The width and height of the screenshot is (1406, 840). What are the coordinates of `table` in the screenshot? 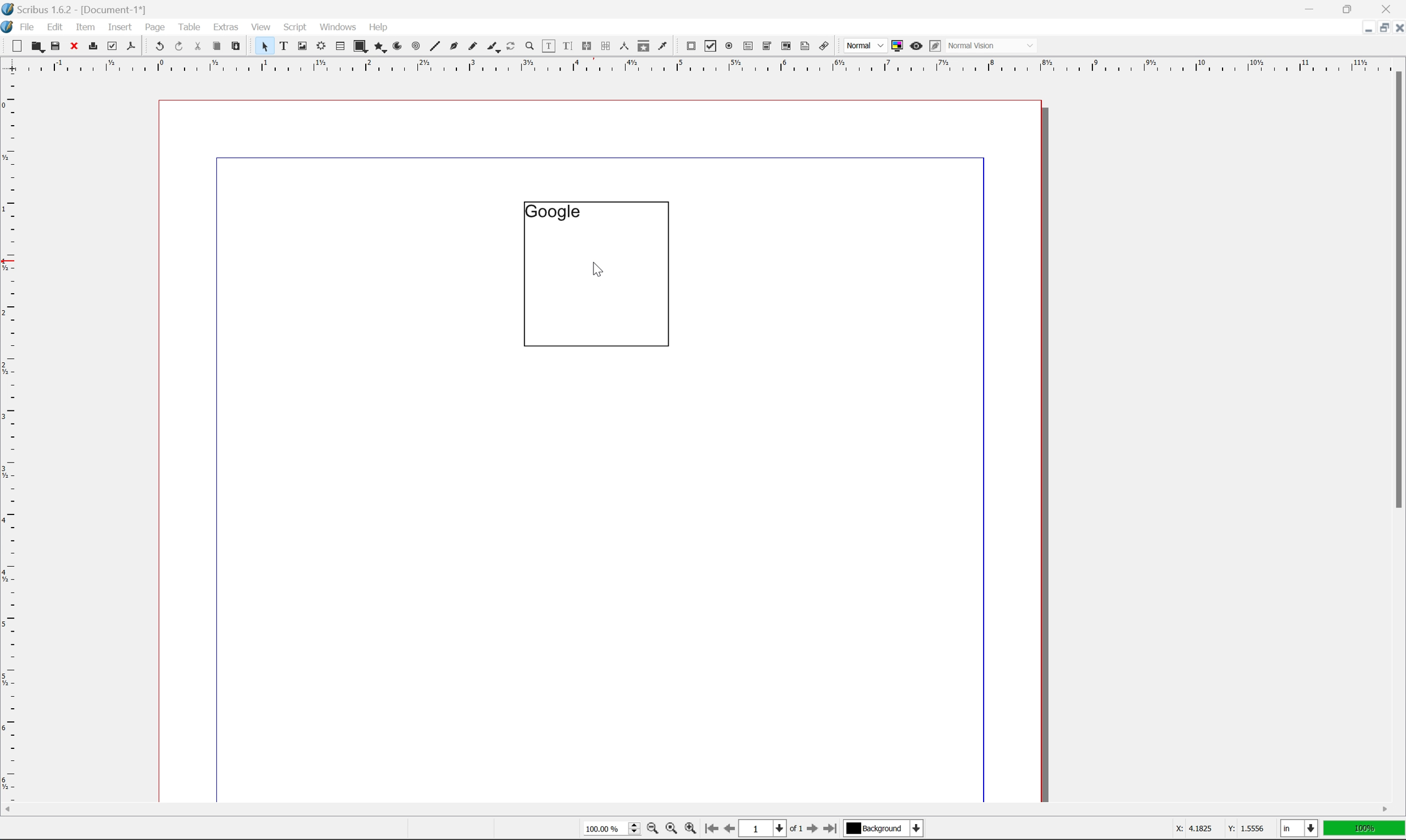 It's located at (190, 26).